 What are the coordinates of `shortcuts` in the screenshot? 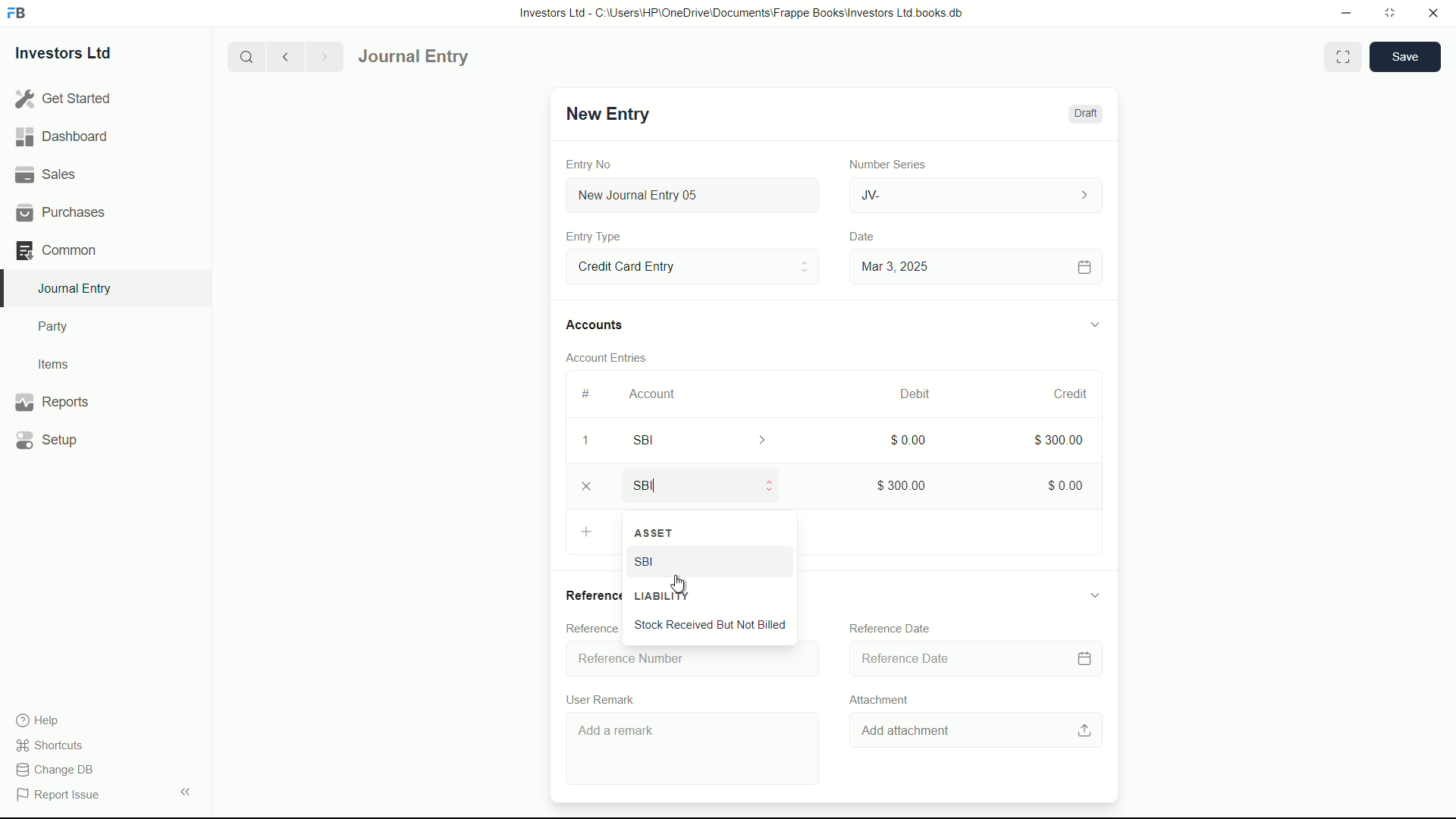 It's located at (53, 745).